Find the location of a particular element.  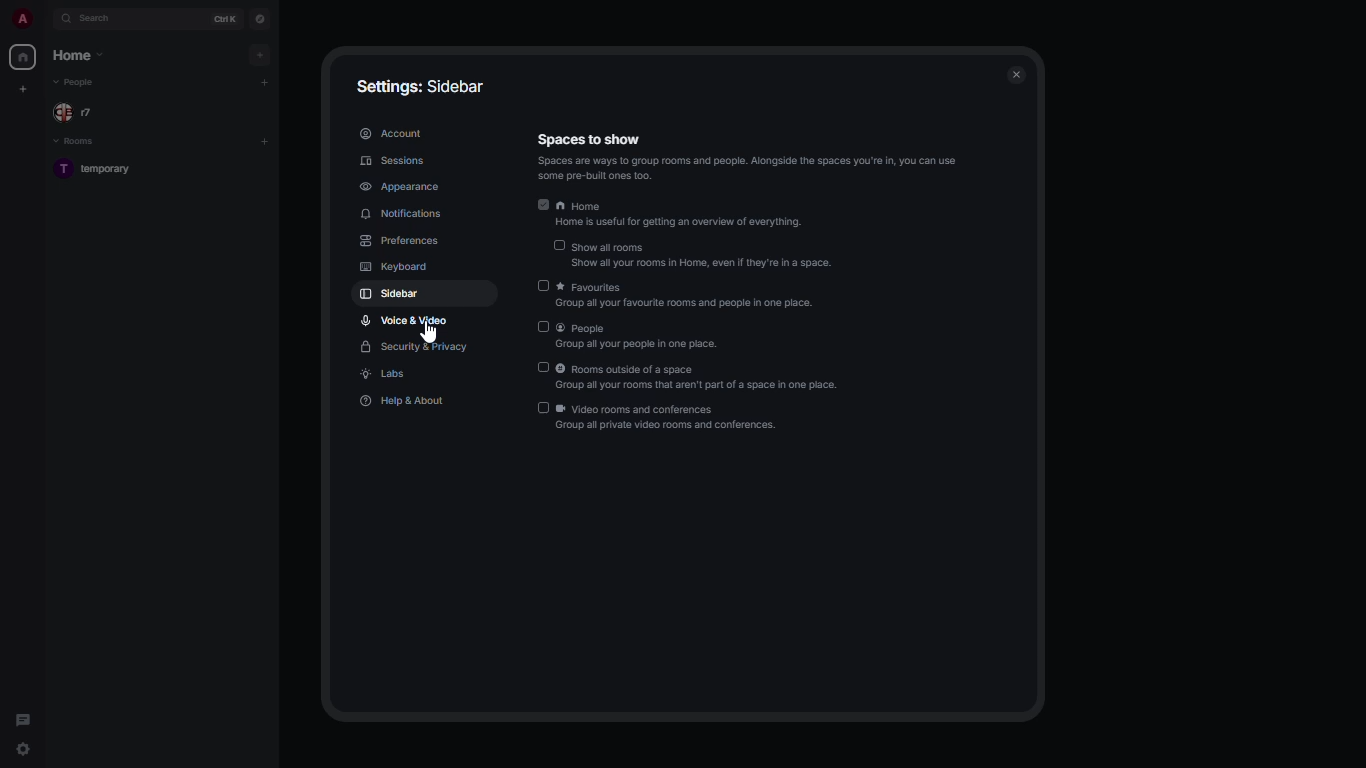

security & privacy is located at coordinates (413, 348).